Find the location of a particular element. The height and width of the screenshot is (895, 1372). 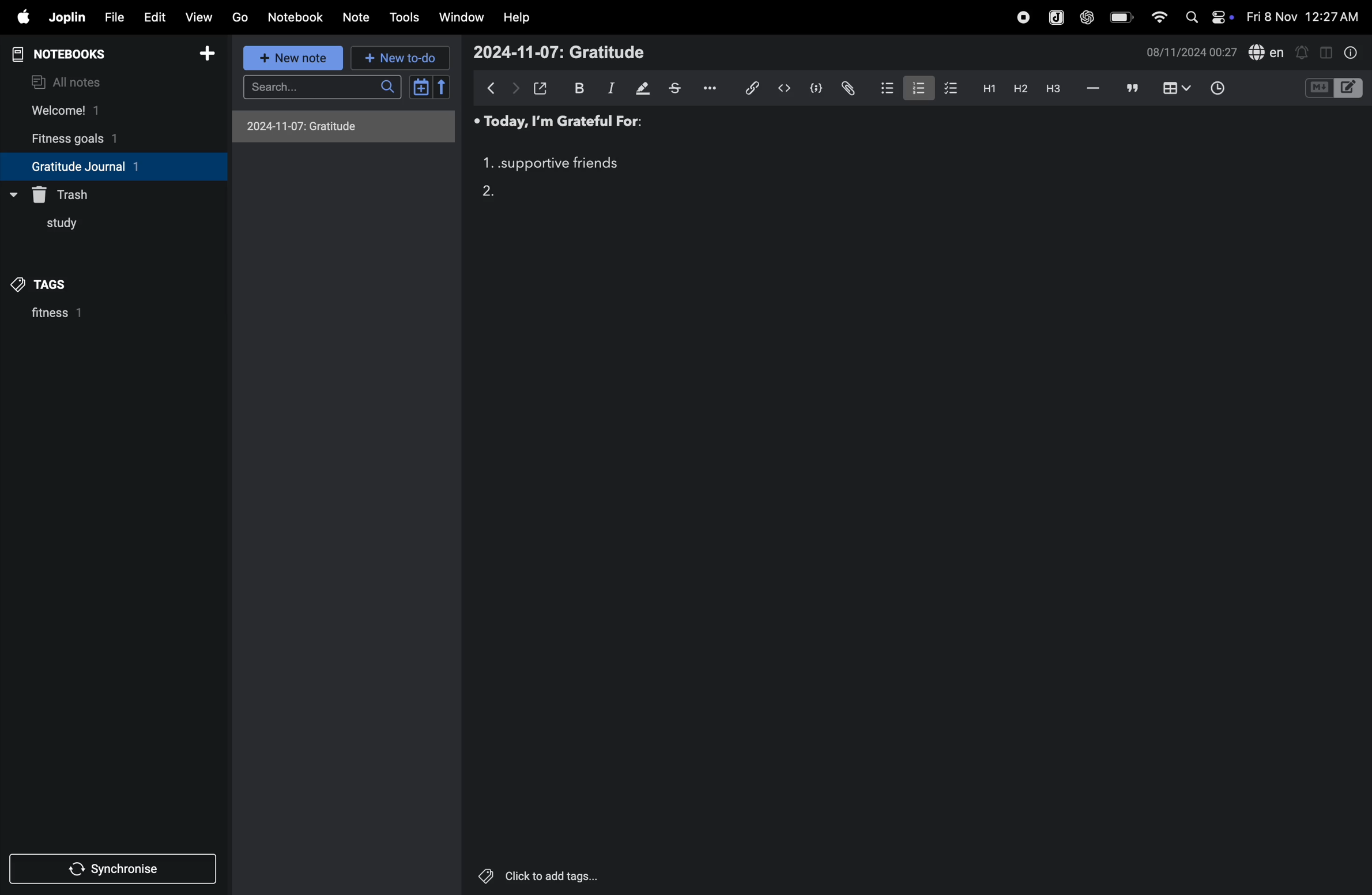

click to add tags is located at coordinates (533, 873).